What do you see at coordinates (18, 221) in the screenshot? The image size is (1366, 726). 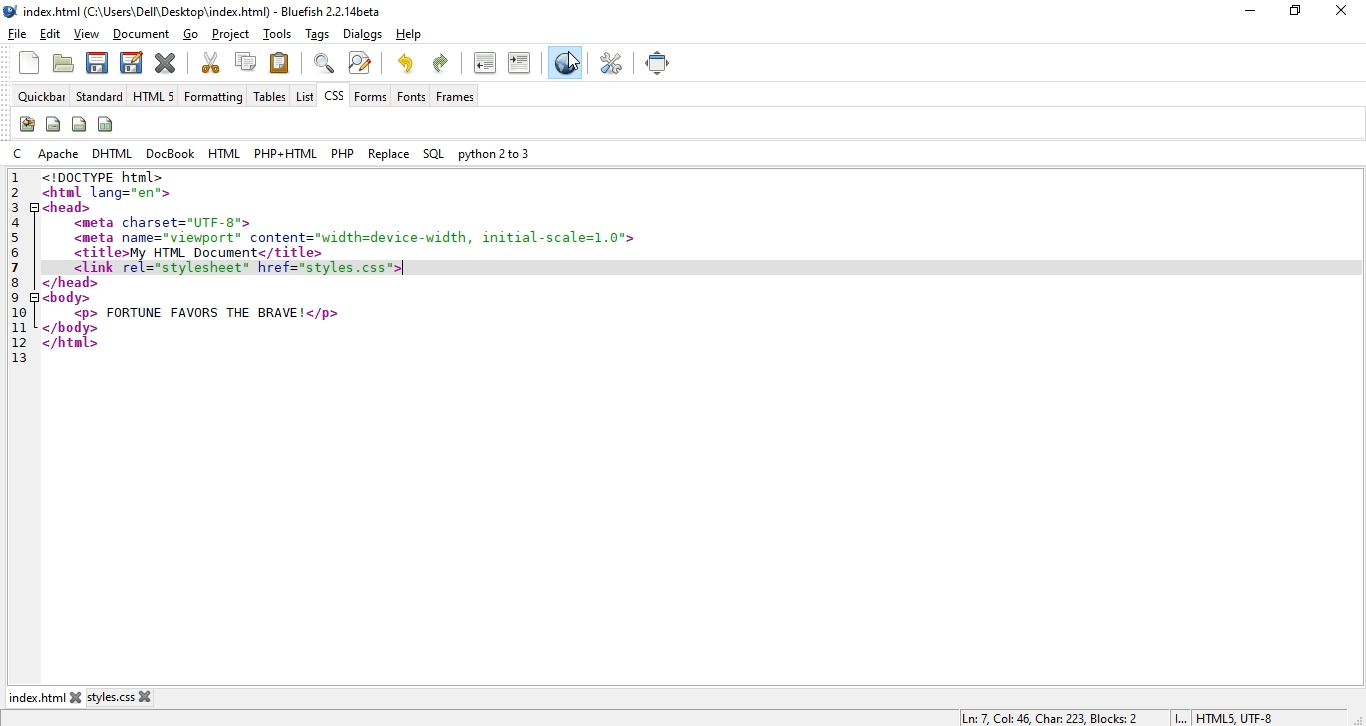 I see `4` at bounding box center [18, 221].